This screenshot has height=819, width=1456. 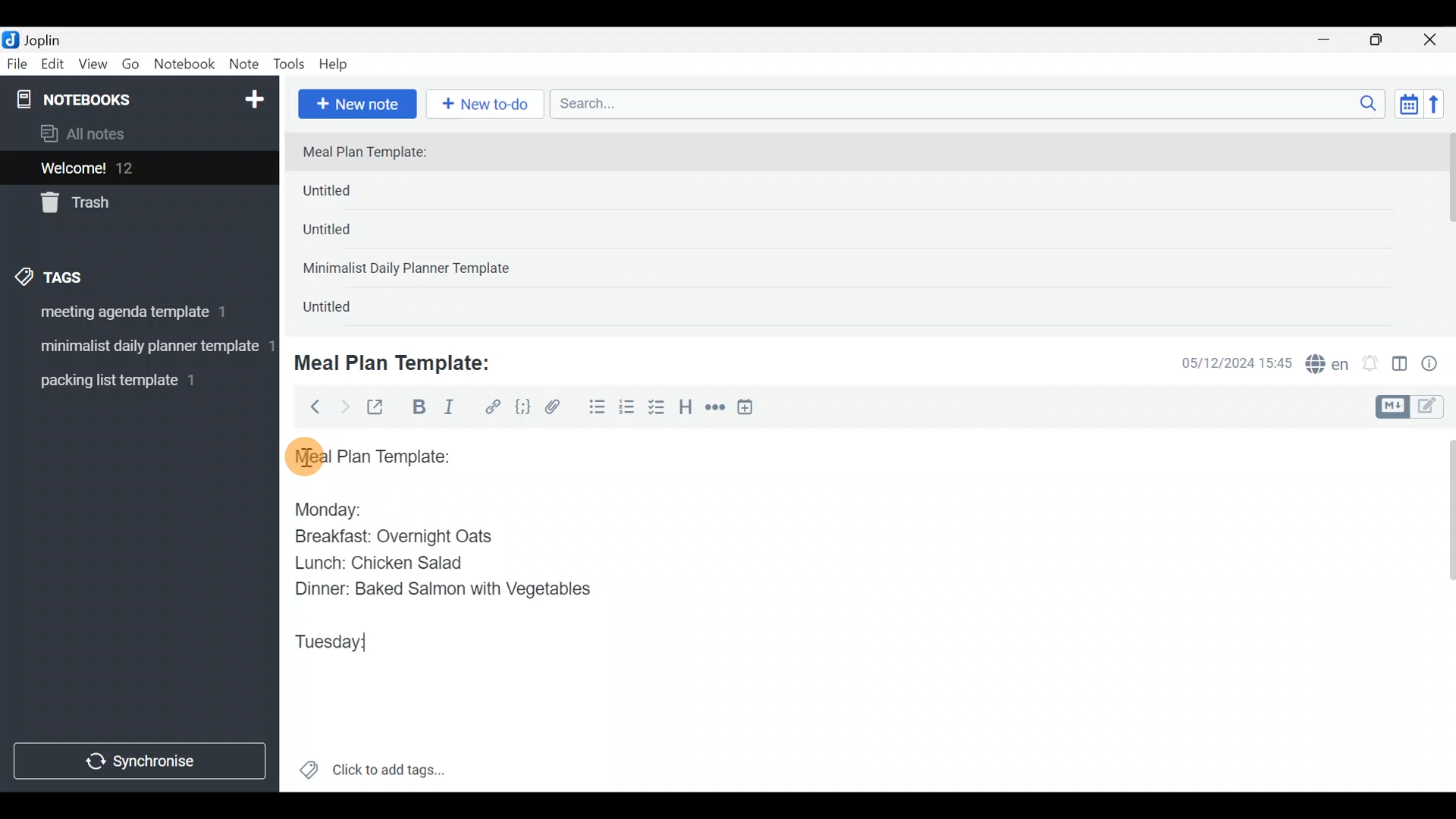 I want to click on Notebook, so click(x=185, y=64).